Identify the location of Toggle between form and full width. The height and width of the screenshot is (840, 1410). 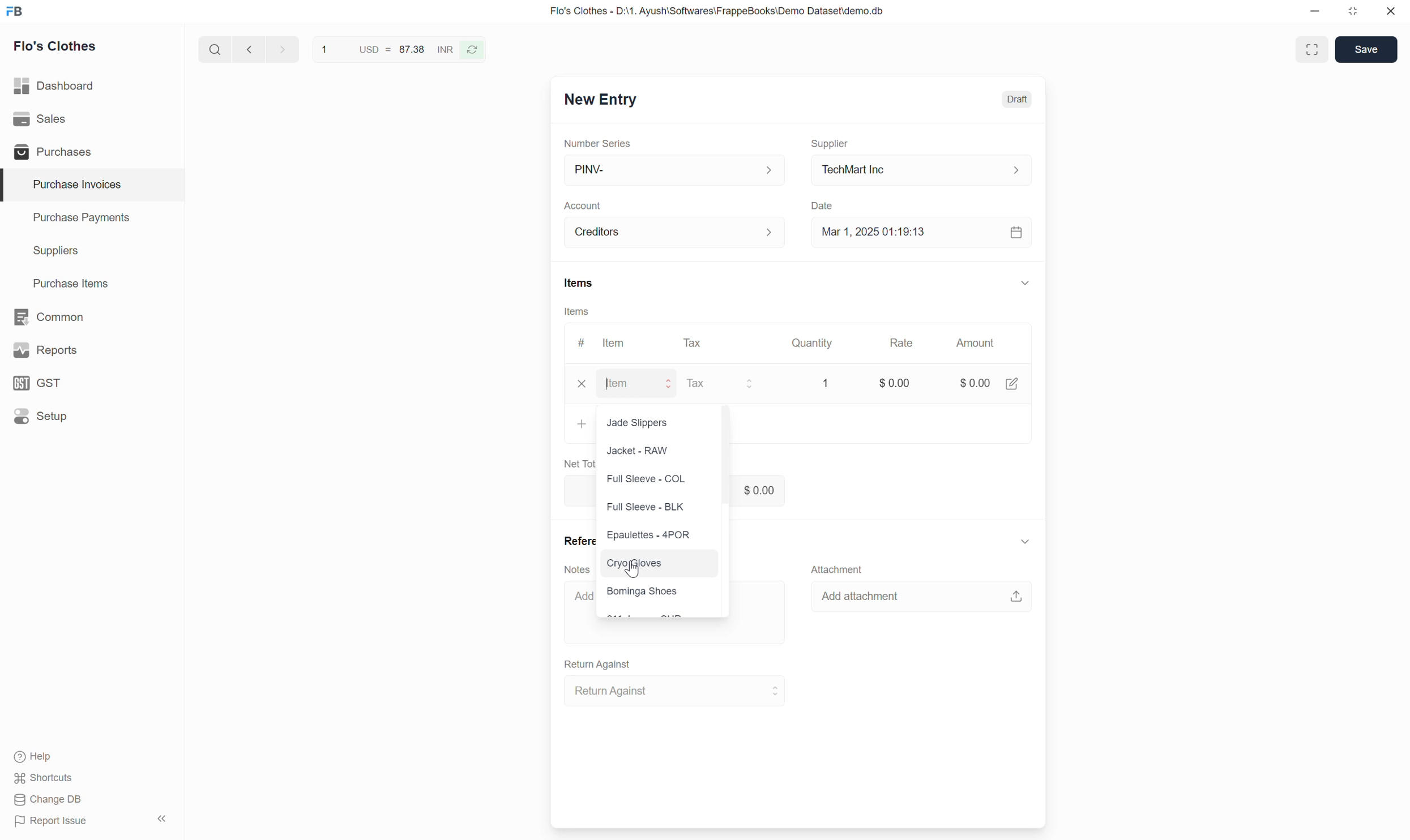
(1311, 49).